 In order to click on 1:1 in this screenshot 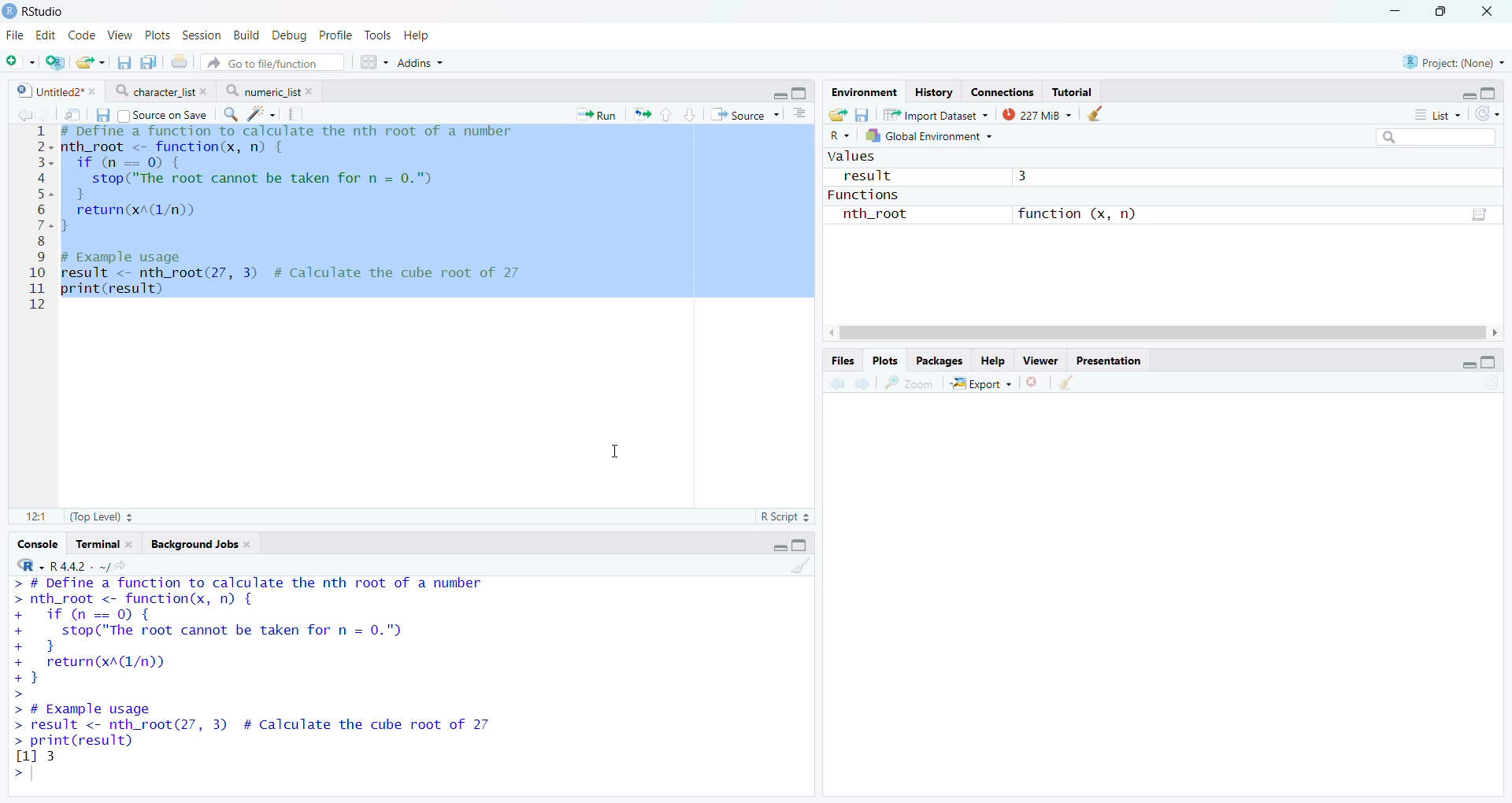, I will do `click(32, 515)`.